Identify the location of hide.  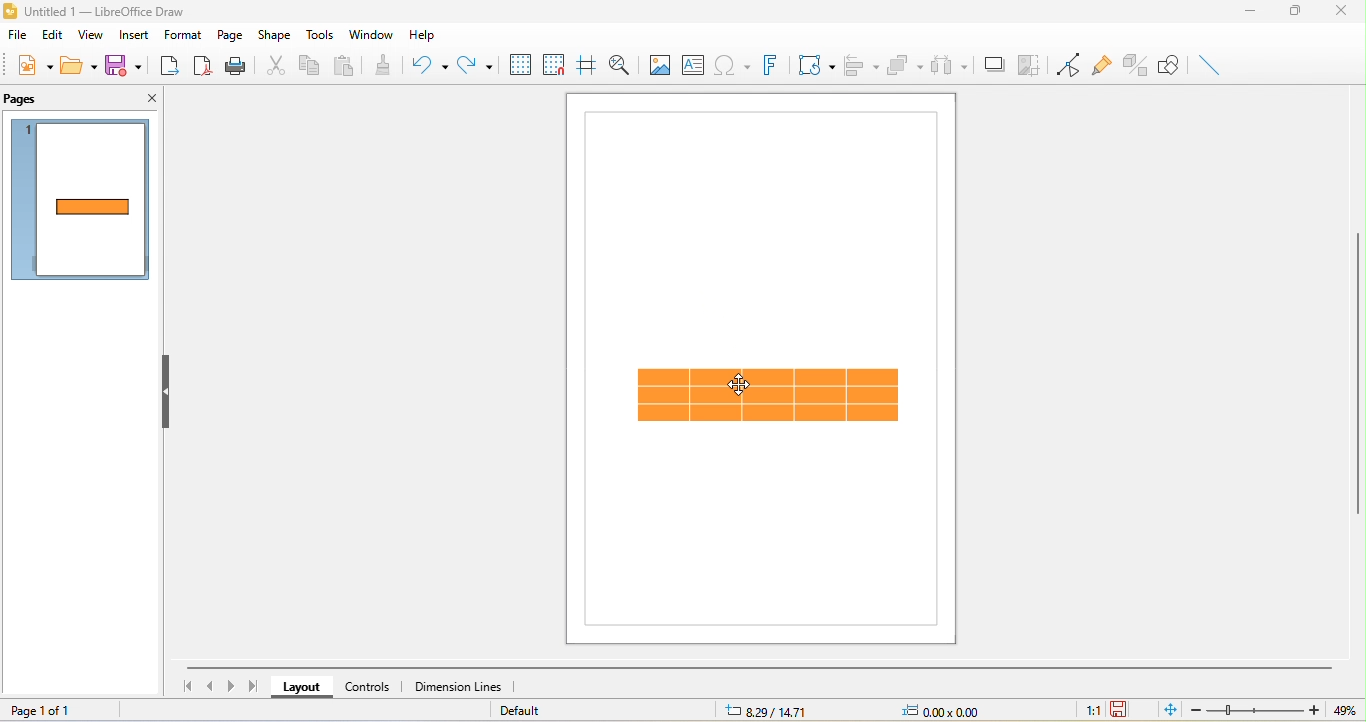
(168, 395).